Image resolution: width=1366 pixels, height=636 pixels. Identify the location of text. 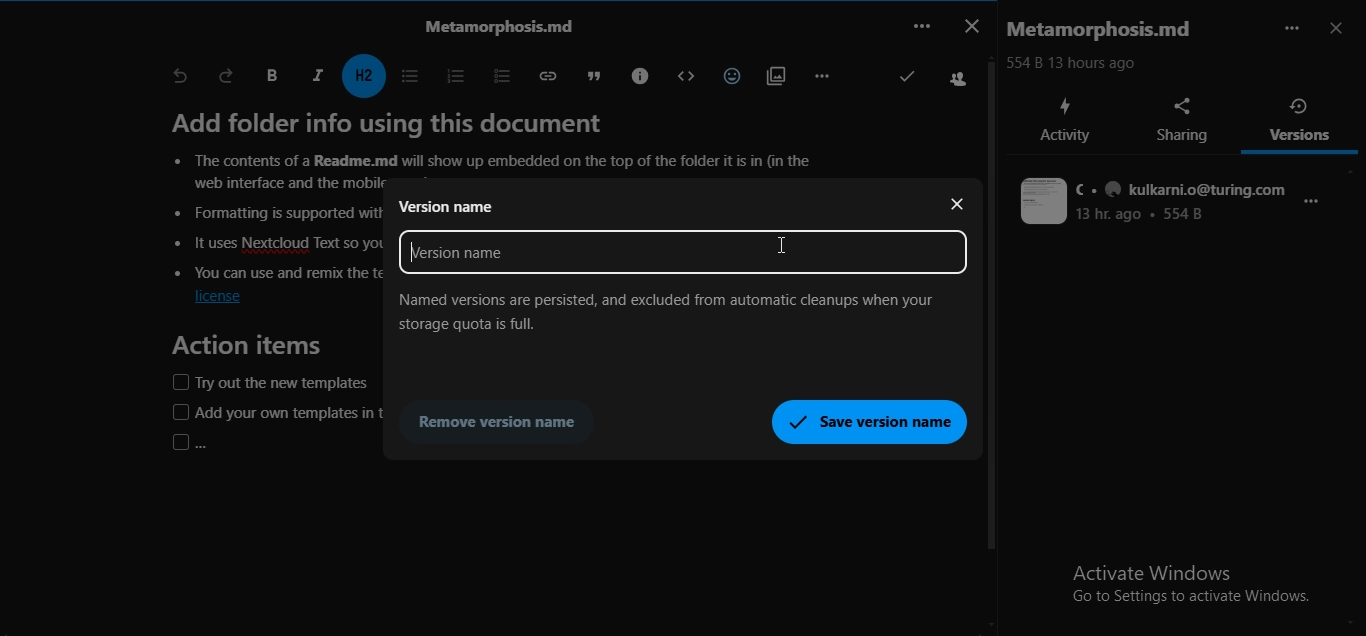
(485, 144).